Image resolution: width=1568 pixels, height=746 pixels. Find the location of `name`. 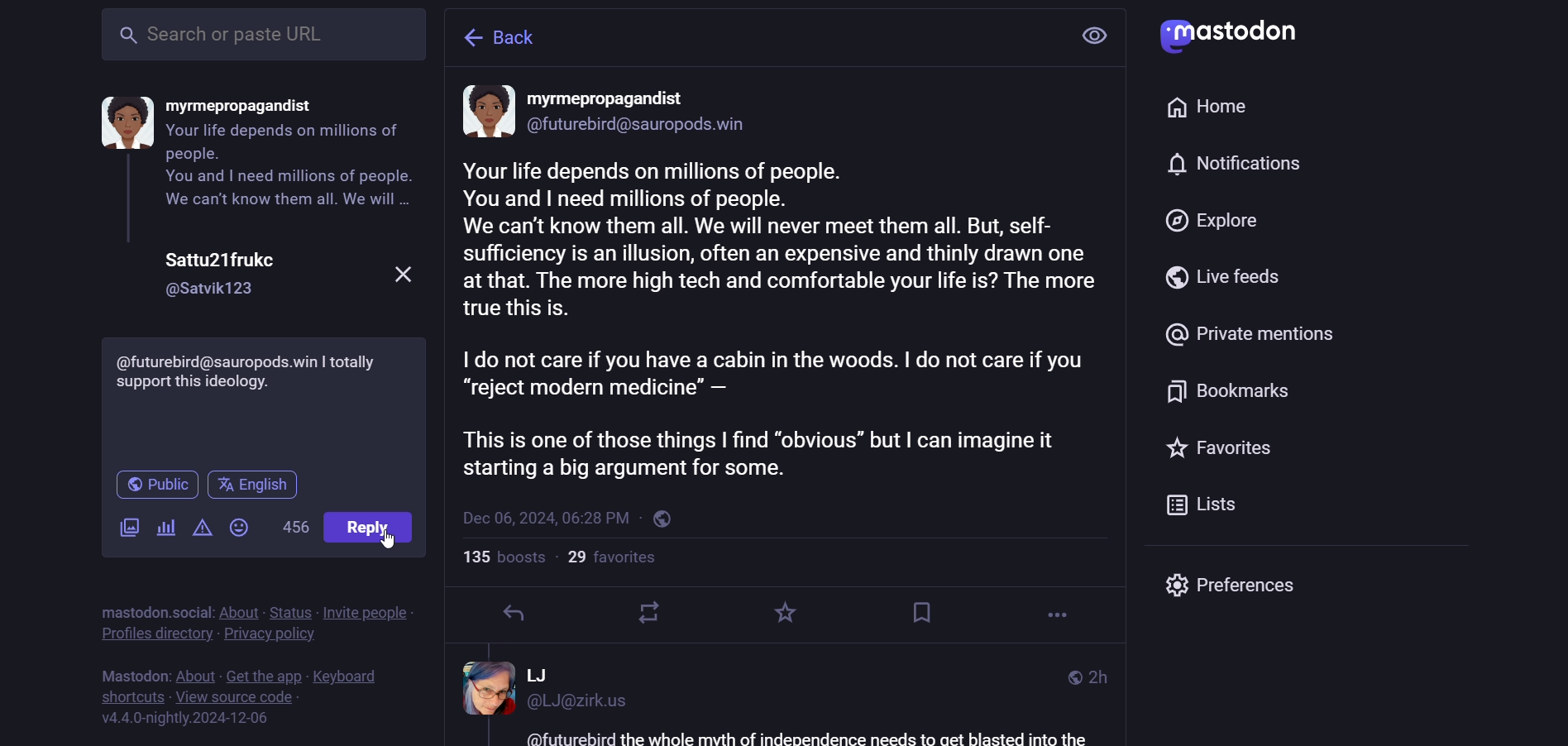

name is located at coordinates (223, 257).